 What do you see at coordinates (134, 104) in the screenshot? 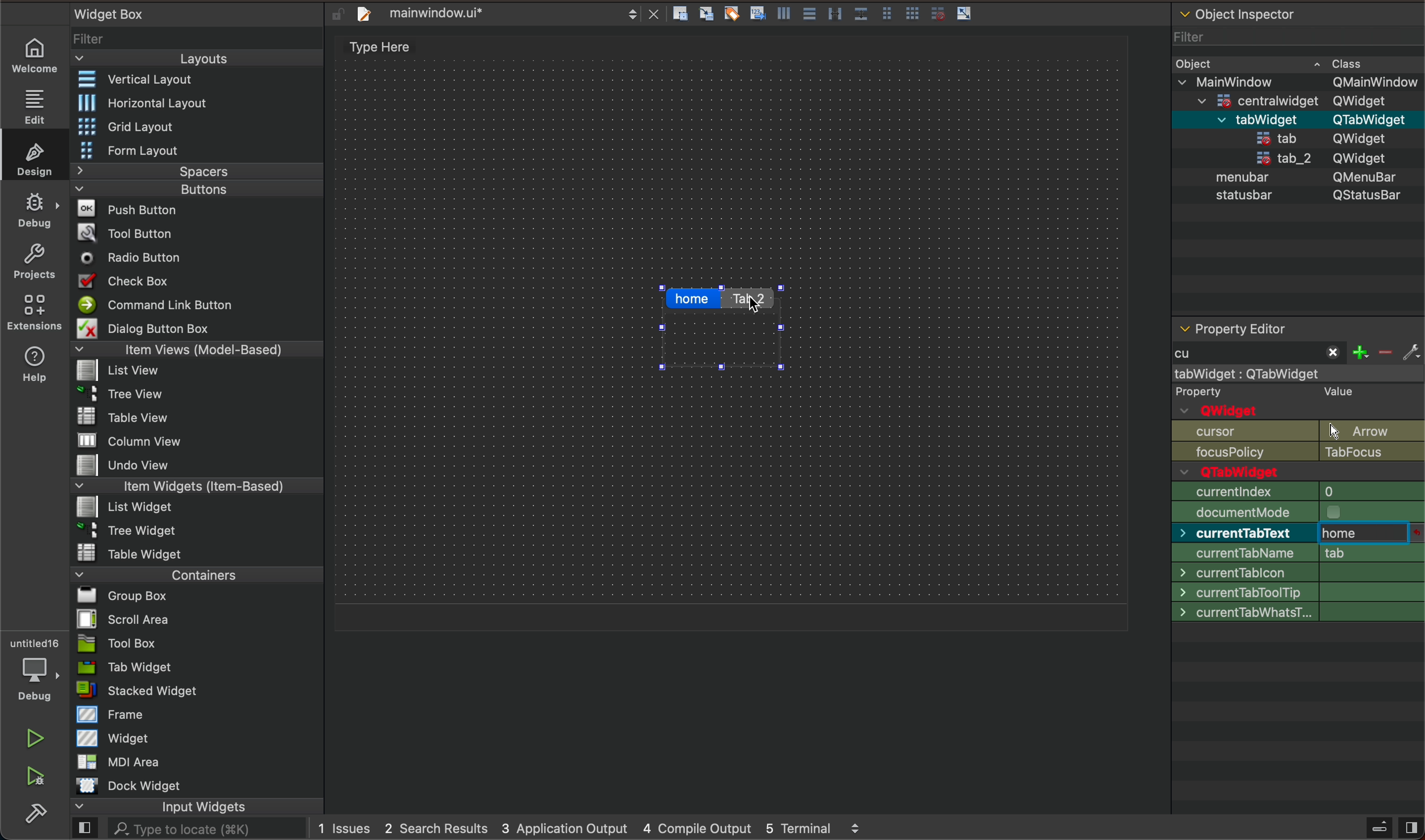
I see `Horizontal Layout` at bounding box center [134, 104].